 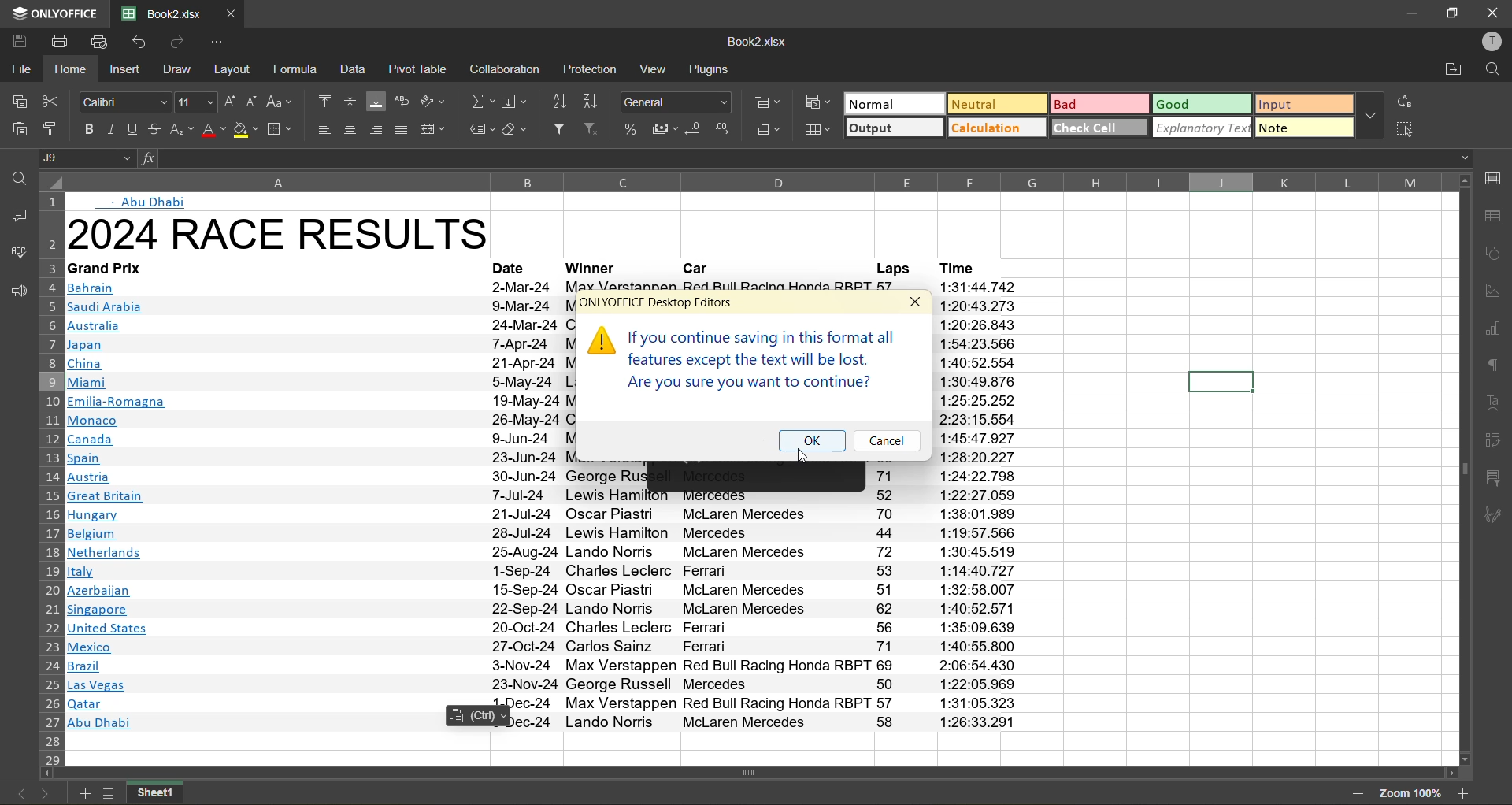 I want to click on car, so click(x=703, y=268).